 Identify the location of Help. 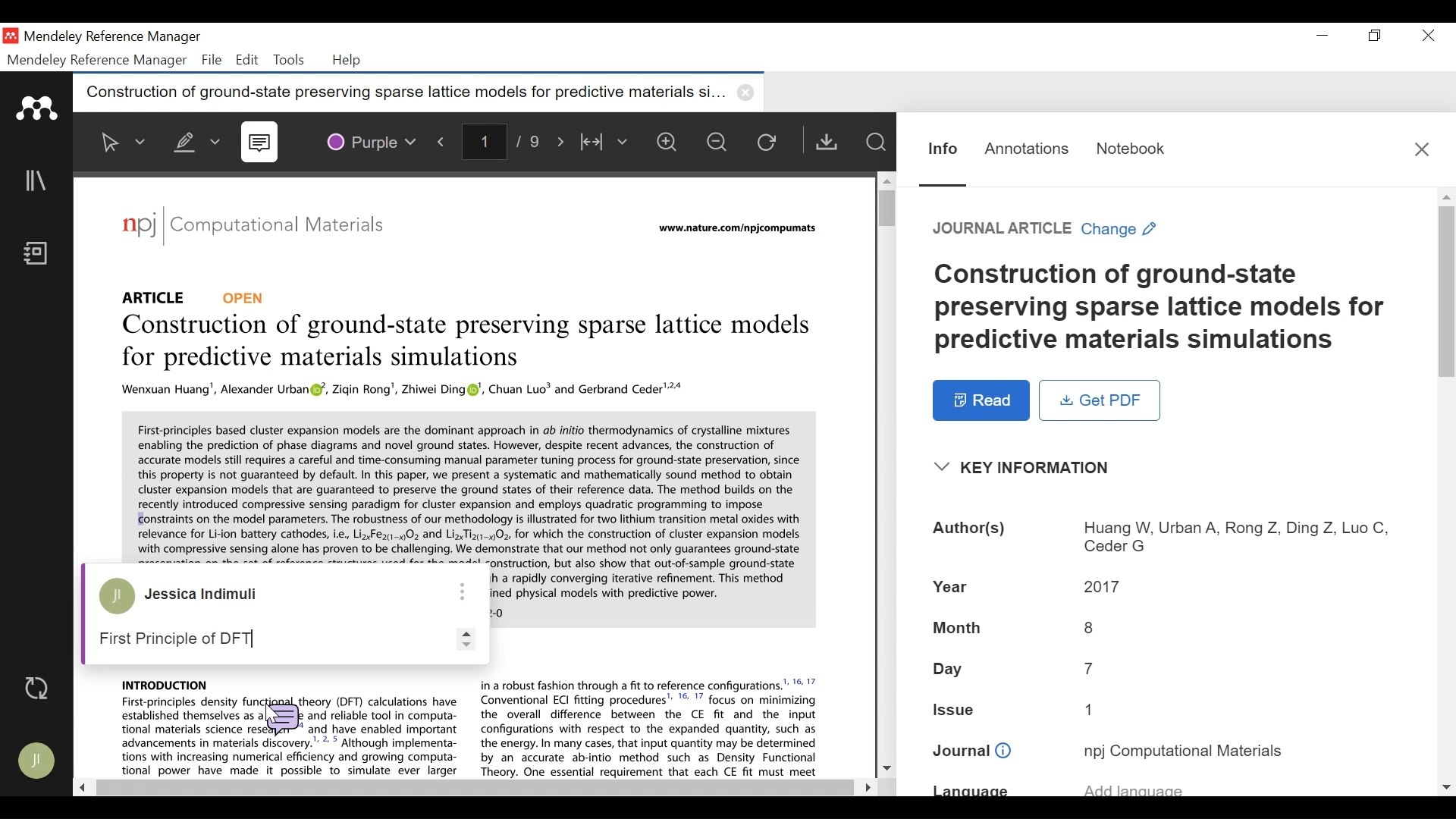
(349, 61).